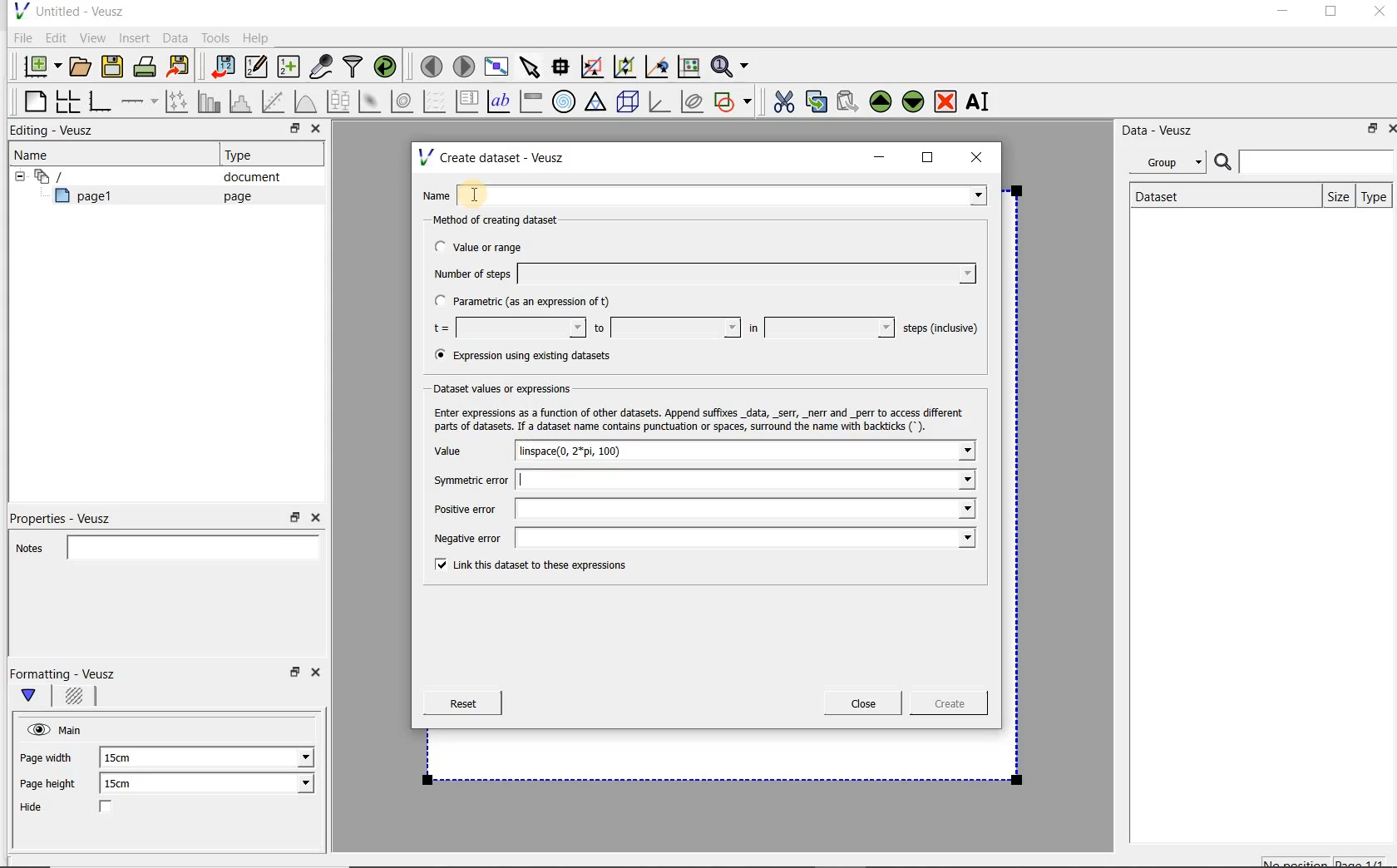 This screenshot has height=868, width=1397. Describe the element at coordinates (819, 328) in the screenshot. I see `in ` at that location.